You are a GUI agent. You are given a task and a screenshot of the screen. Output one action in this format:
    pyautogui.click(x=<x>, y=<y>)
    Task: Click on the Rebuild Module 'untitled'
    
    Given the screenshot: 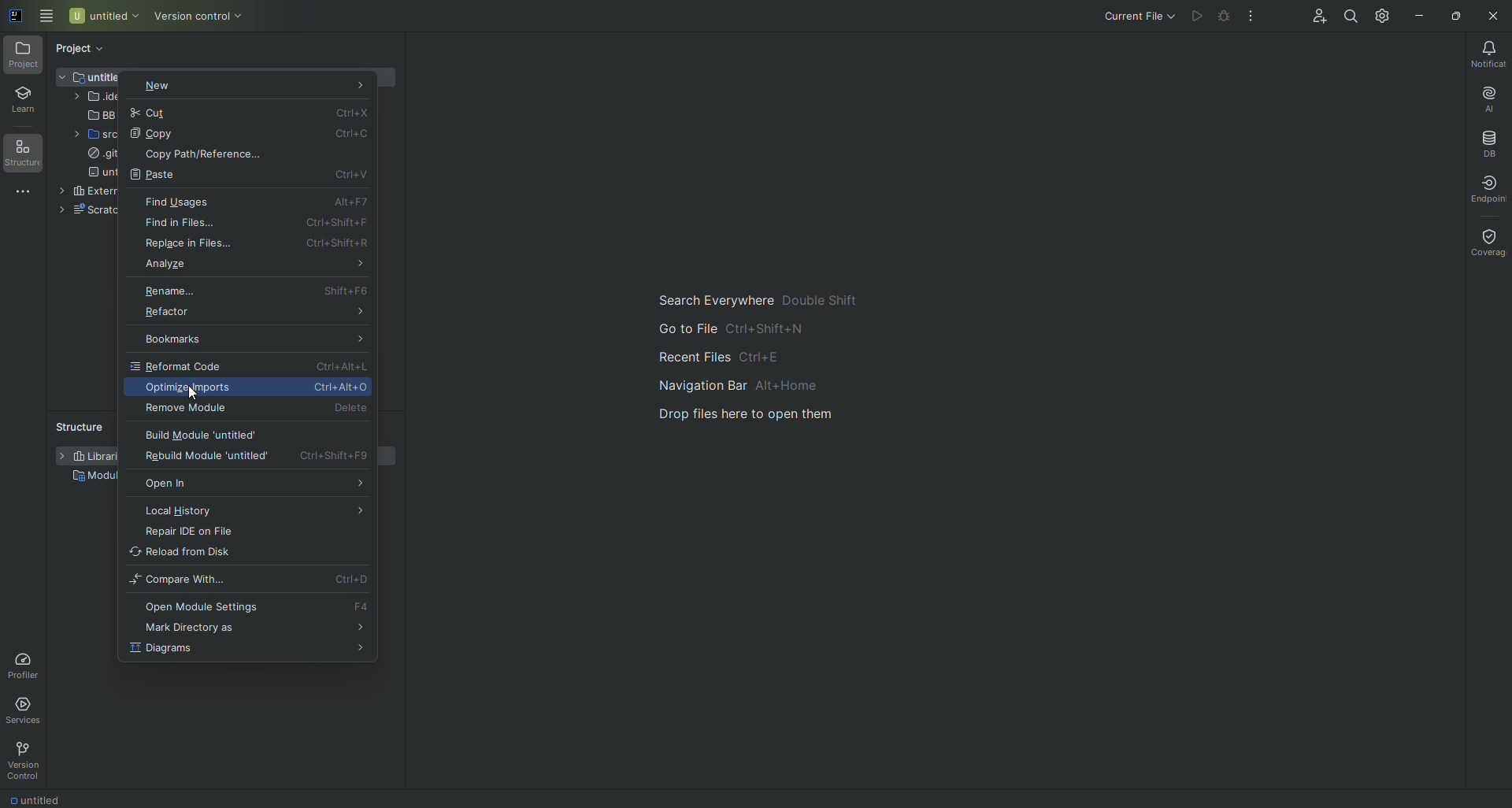 What is the action you would take?
    pyautogui.click(x=255, y=454)
    